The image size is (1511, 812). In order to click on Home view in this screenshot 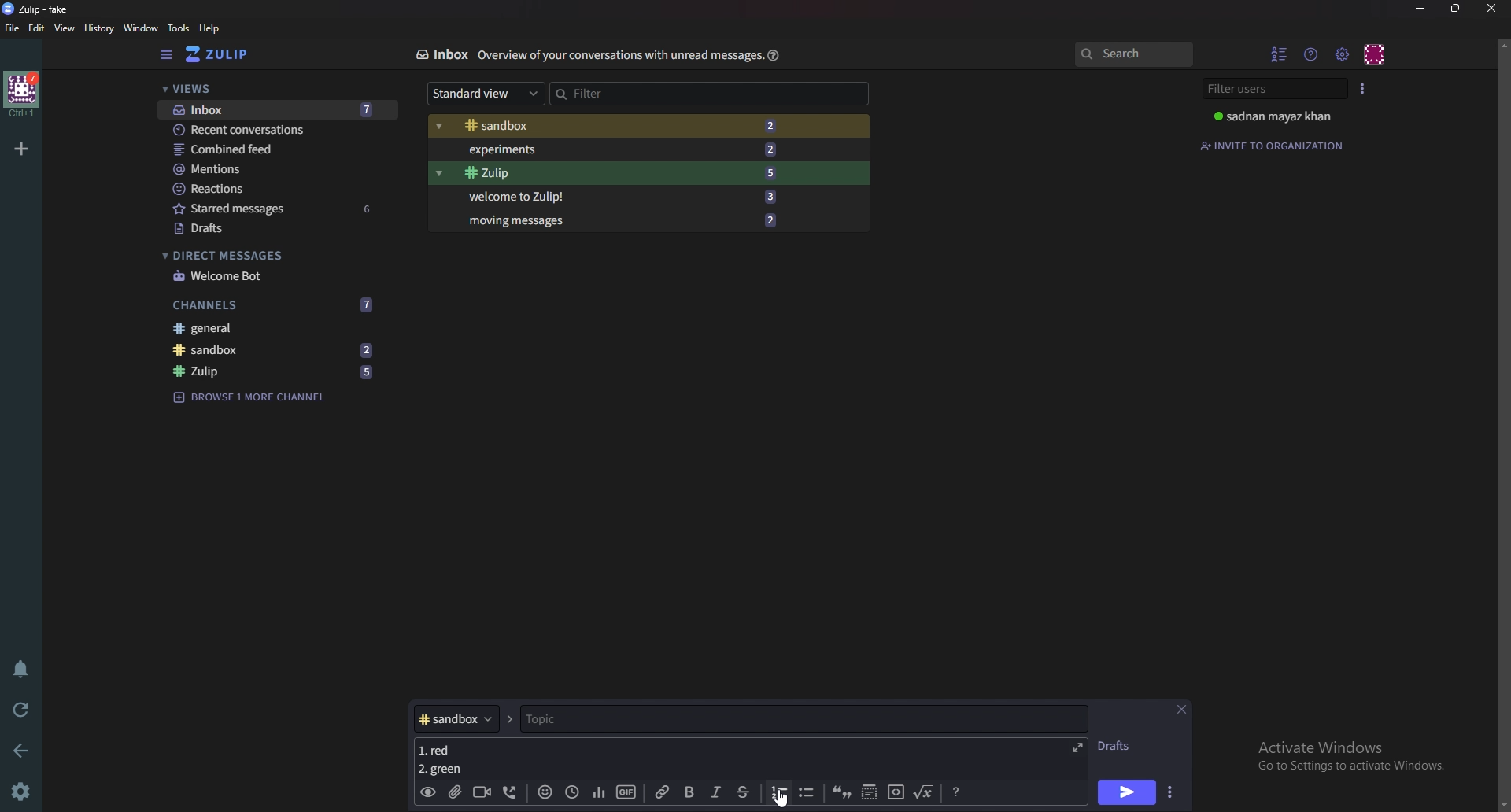, I will do `click(228, 54)`.